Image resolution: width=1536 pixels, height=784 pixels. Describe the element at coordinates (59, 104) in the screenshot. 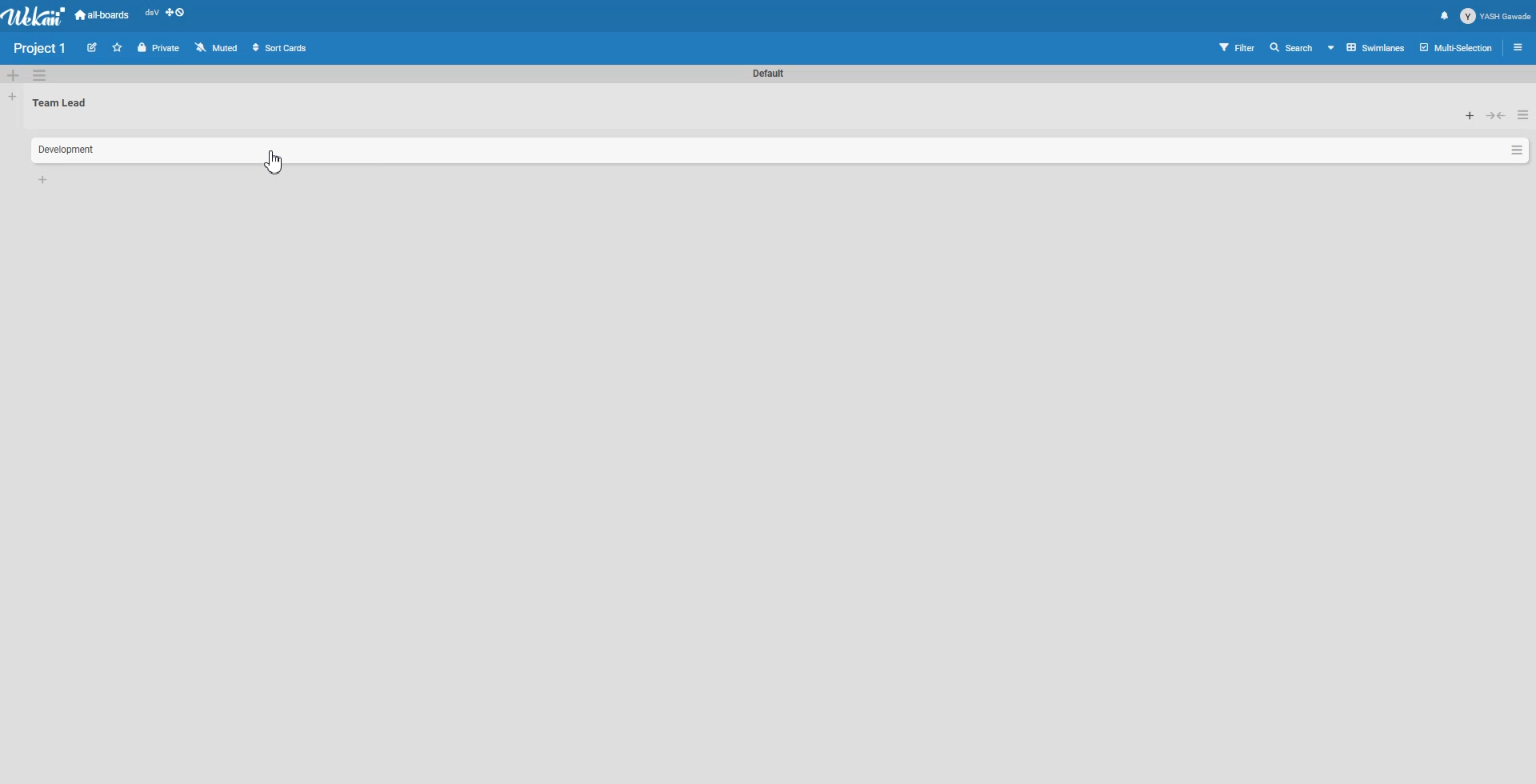

I see `Text` at that location.